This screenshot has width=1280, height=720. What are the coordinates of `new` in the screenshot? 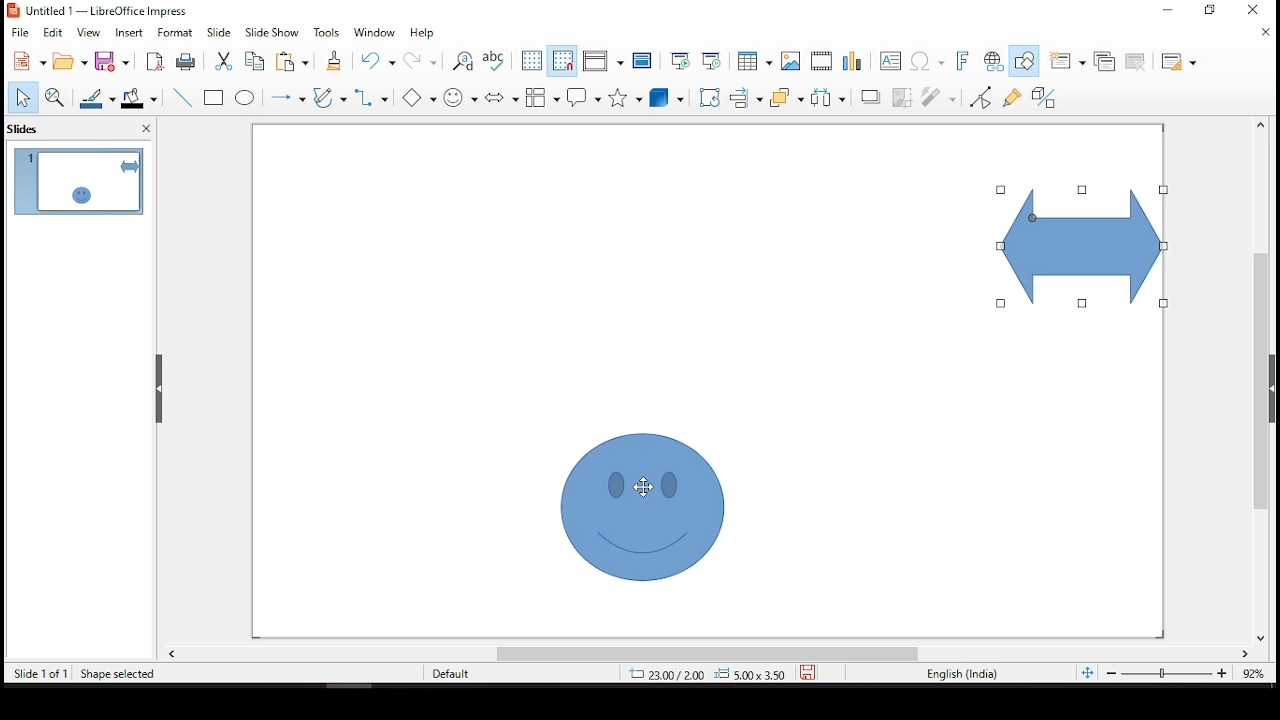 It's located at (25, 61).